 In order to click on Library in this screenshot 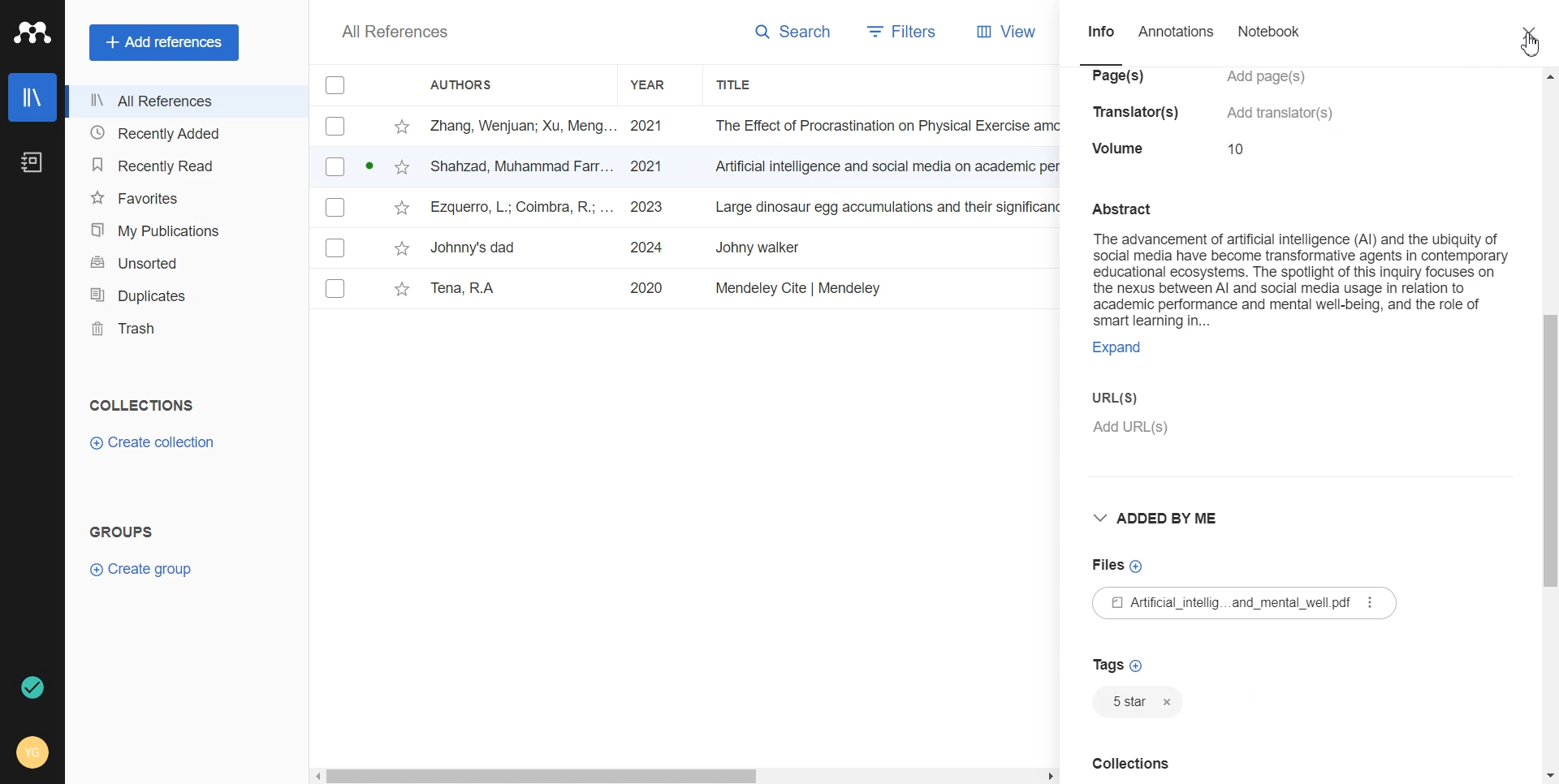, I will do `click(33, 97)`.